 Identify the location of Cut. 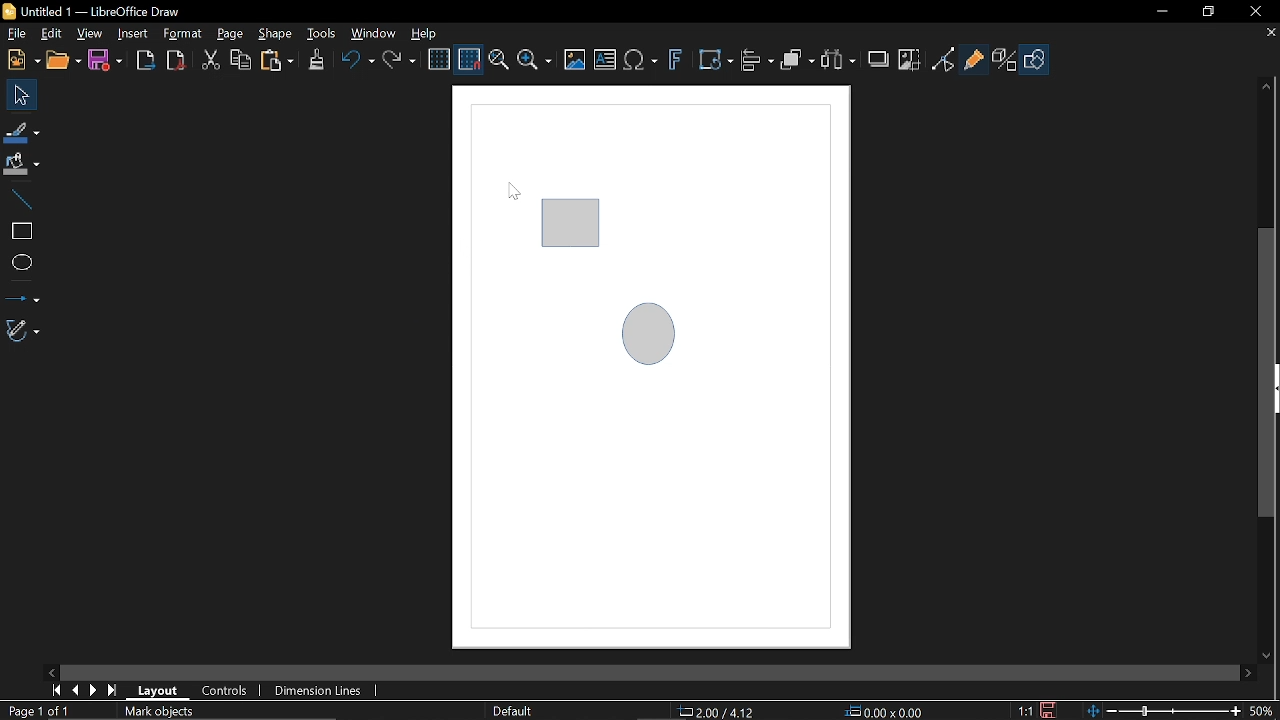
(207, 60).